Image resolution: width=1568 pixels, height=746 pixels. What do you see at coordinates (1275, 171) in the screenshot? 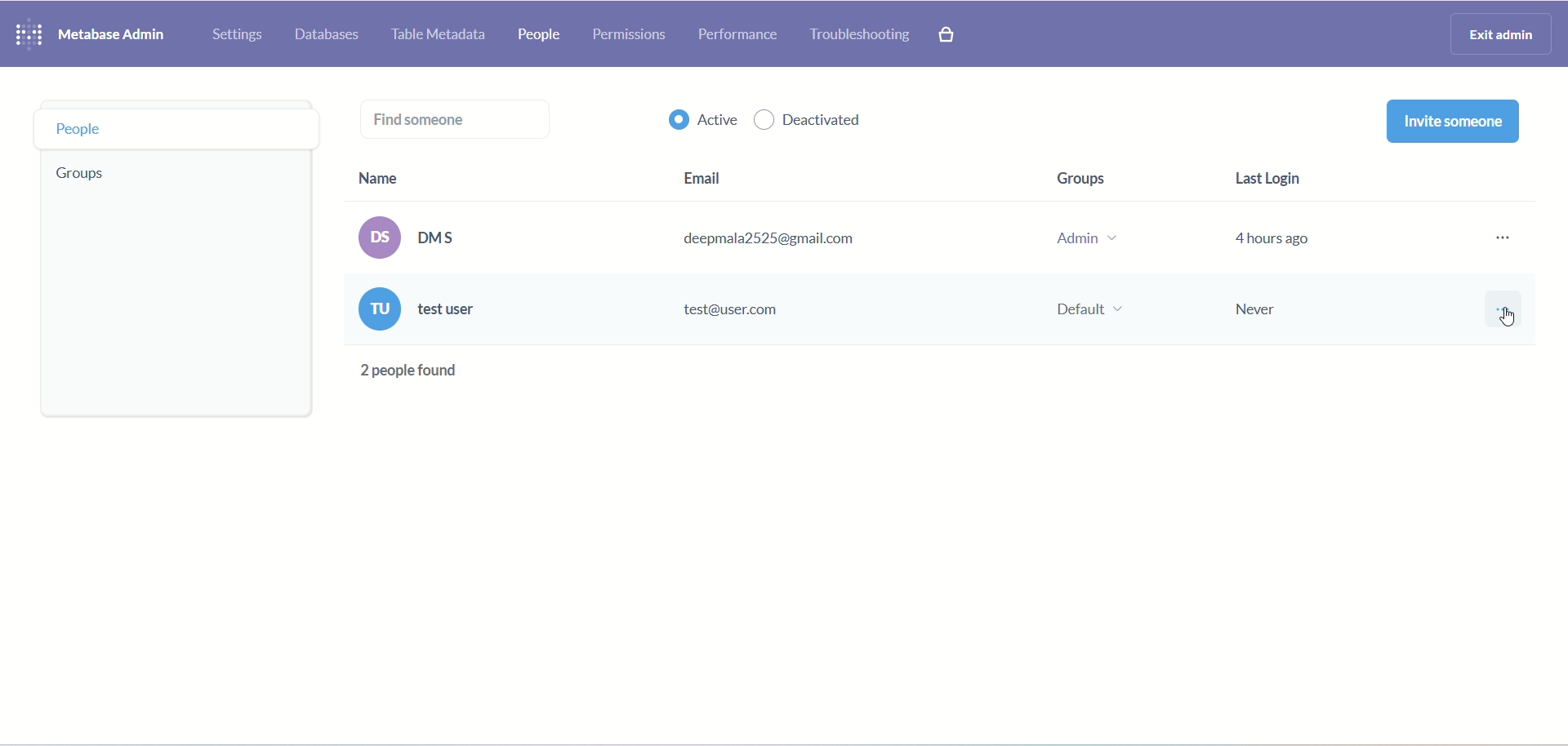
I see `last login` at bounding box center [1275, 171].